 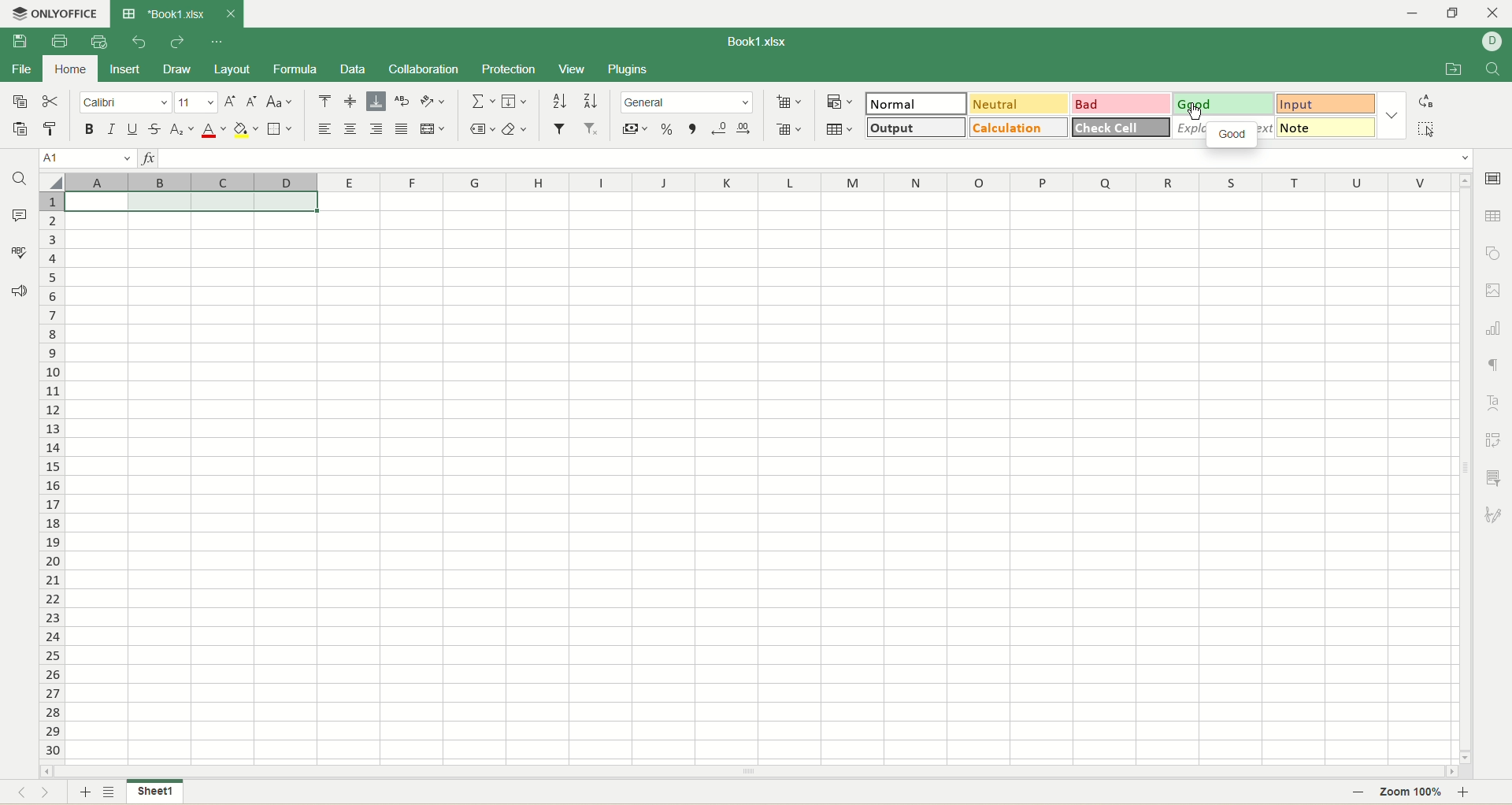 I want to click on view, so click(x=573, y=69).